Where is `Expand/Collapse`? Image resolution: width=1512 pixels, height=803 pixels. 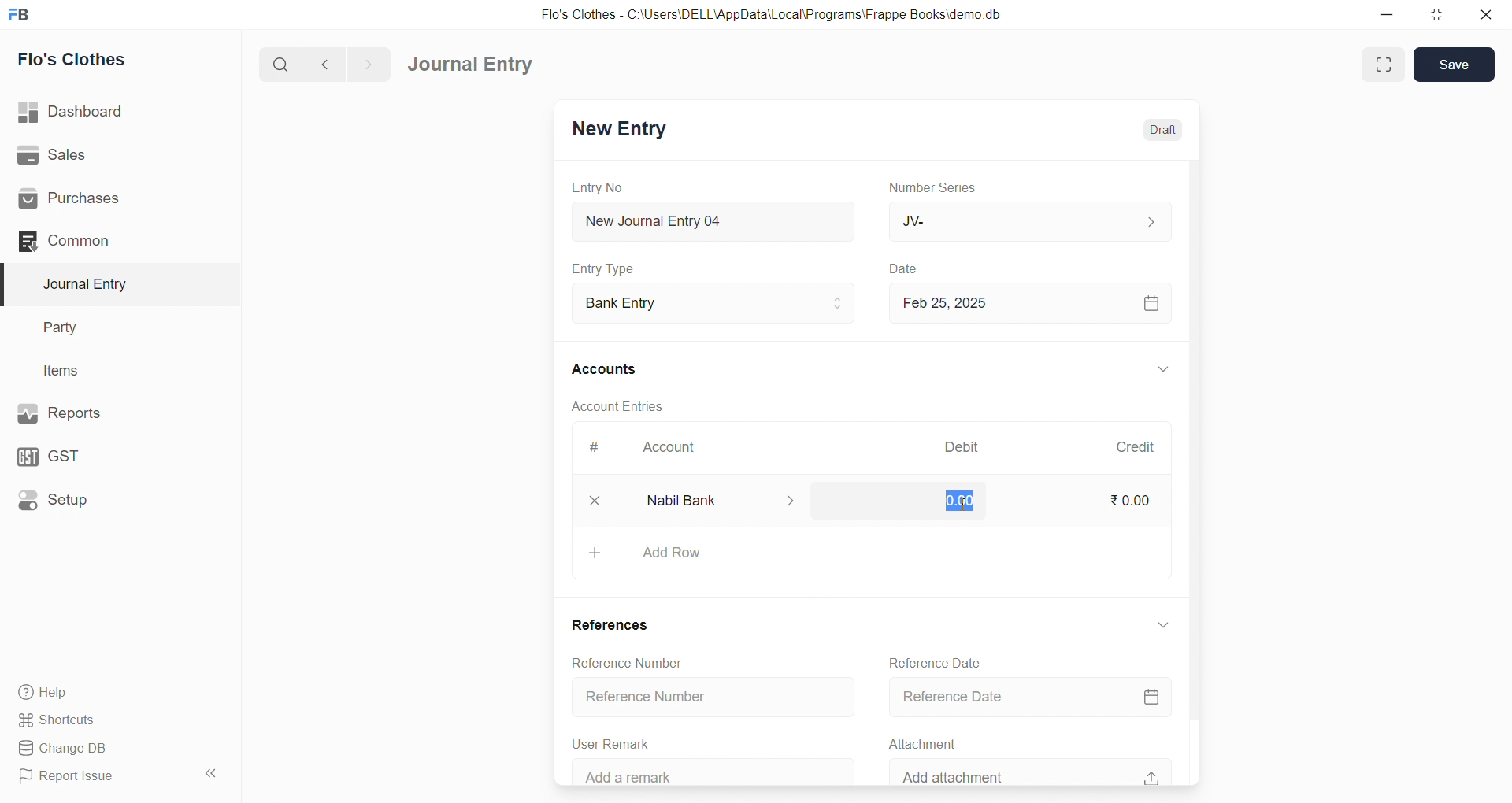 Expand/Collapse is located at coordinates (1152, 371).